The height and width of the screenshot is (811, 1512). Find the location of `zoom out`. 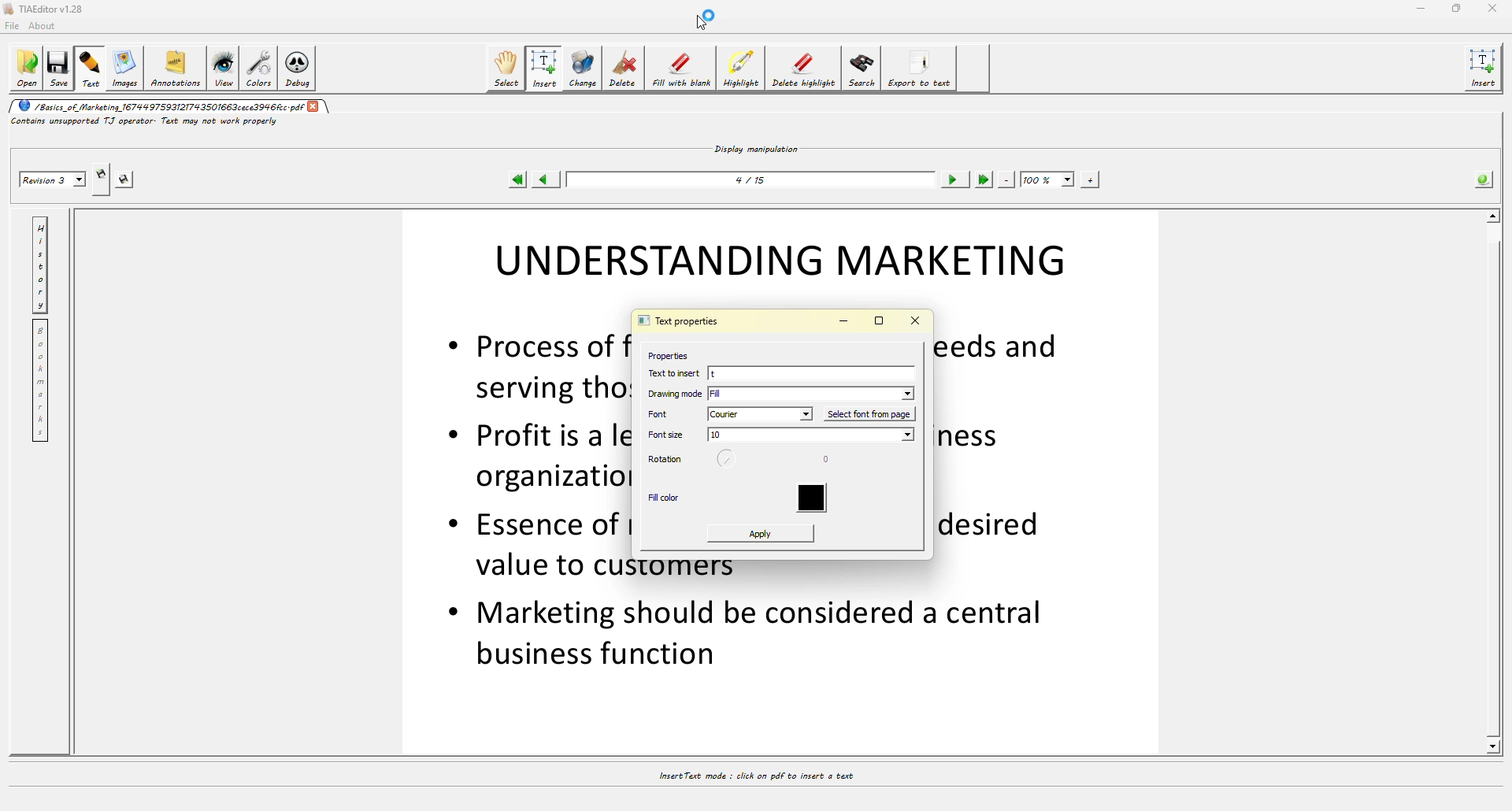

zoom out is located at coordinates (1007, 179).